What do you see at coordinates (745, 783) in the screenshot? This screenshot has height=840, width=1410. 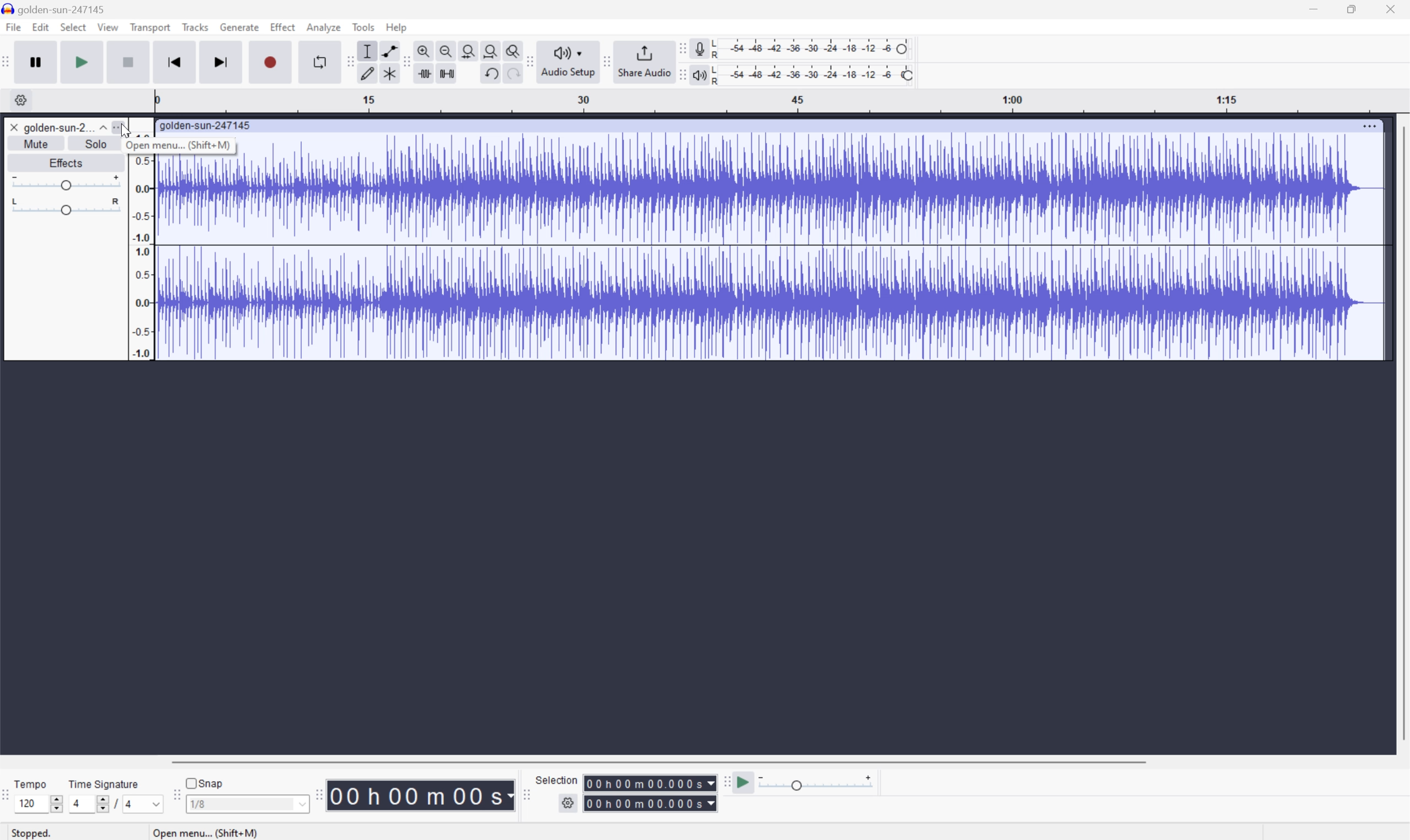 I see `Play at speed` at bounding box center [745, 783].